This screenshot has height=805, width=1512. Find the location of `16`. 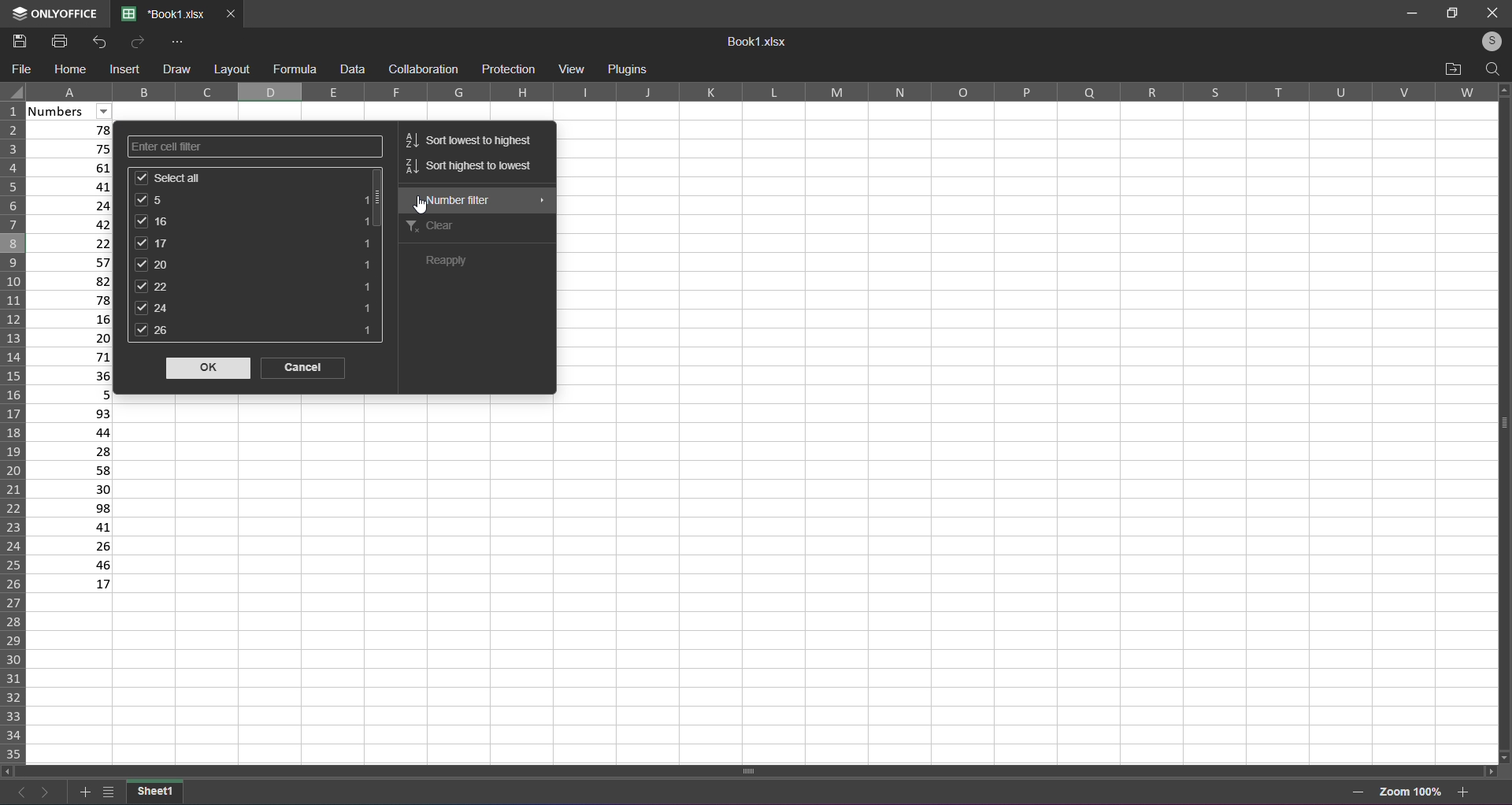

16 is located at coordinates (75, 319).